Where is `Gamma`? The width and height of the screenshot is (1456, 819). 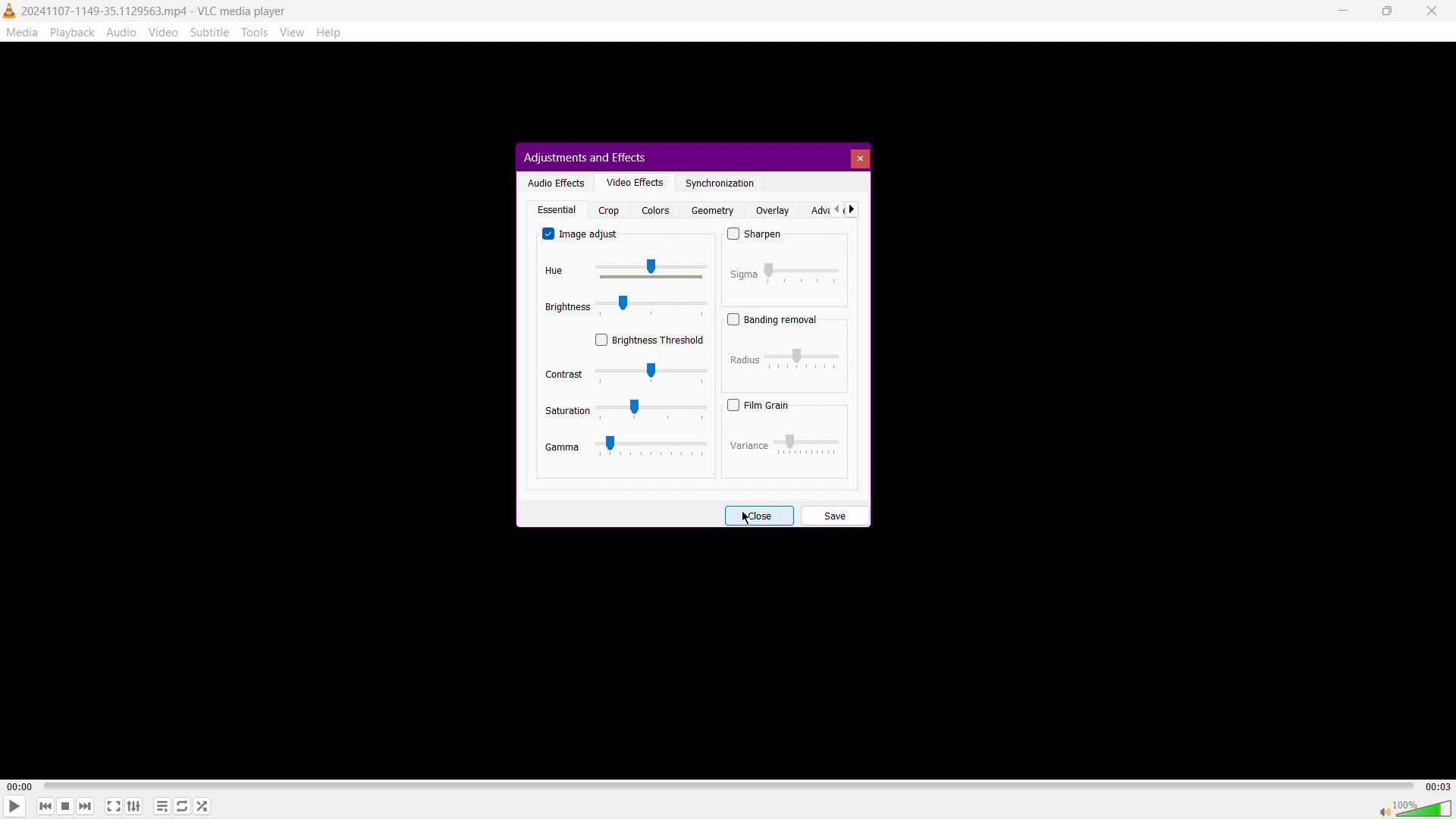
Gamma is located at coordinates (627, 447).